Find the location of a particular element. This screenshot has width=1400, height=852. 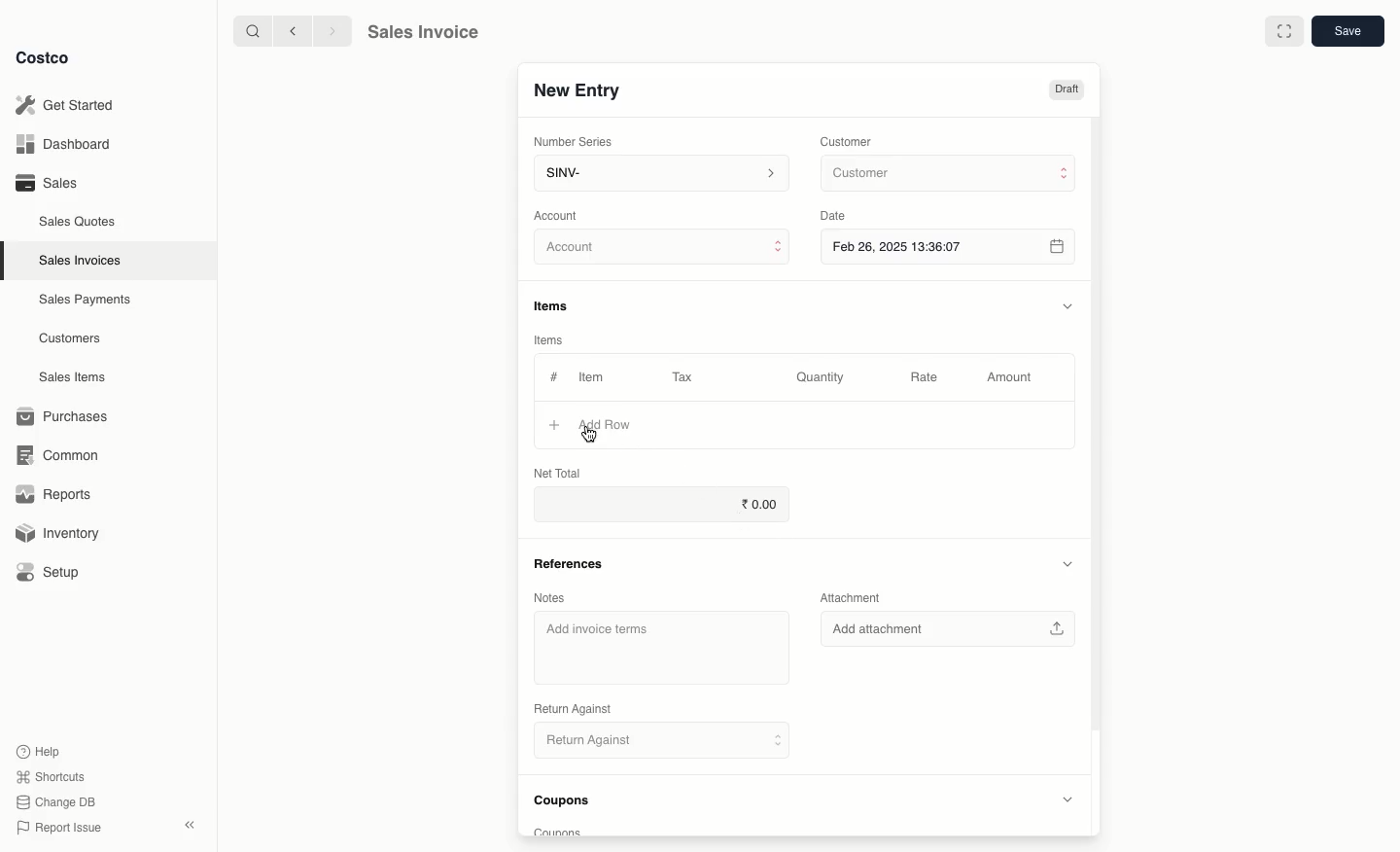

Item is located at coordinates (594, 379).